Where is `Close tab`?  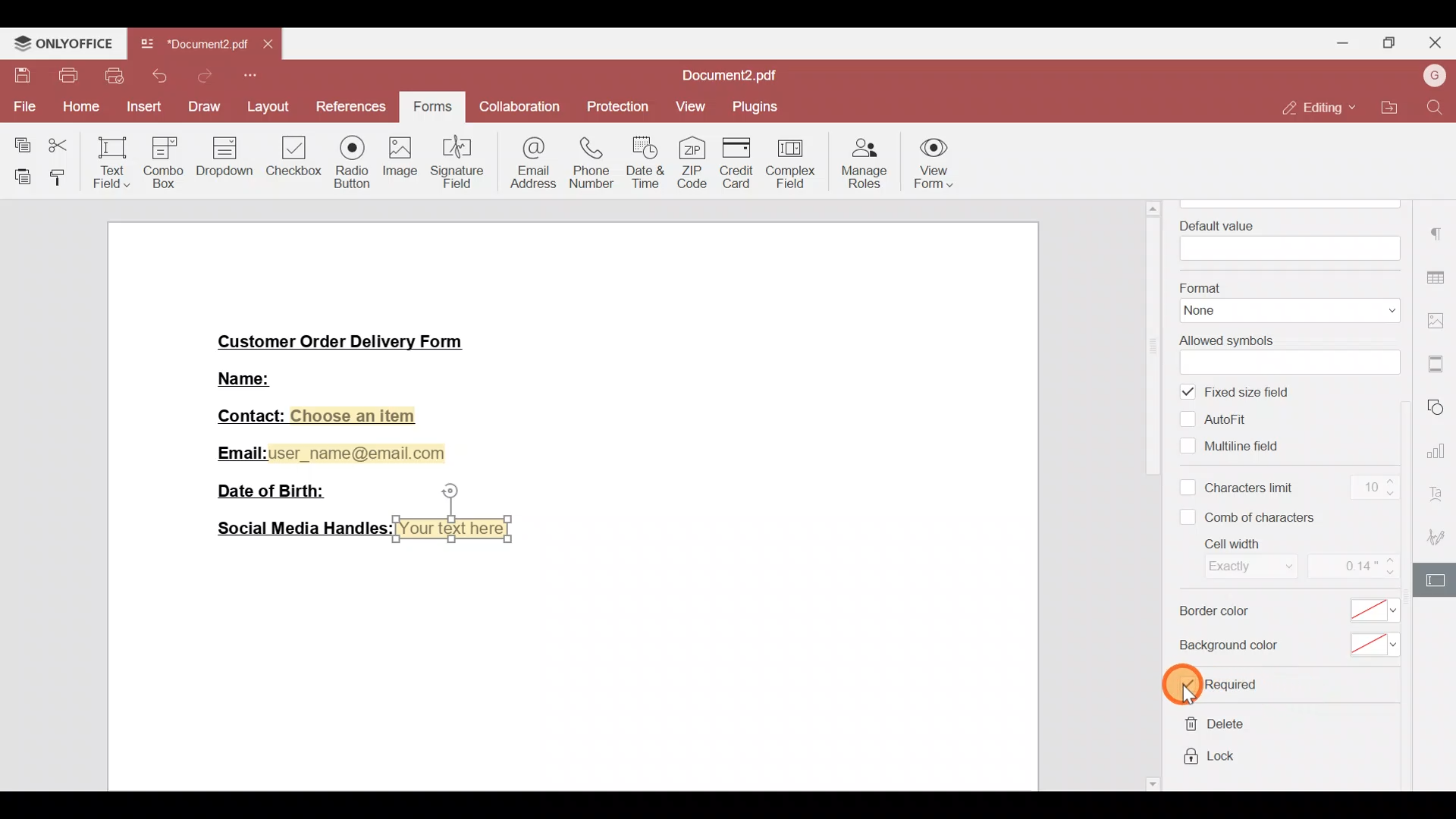
Close tab is located at coordinates (271, 47).